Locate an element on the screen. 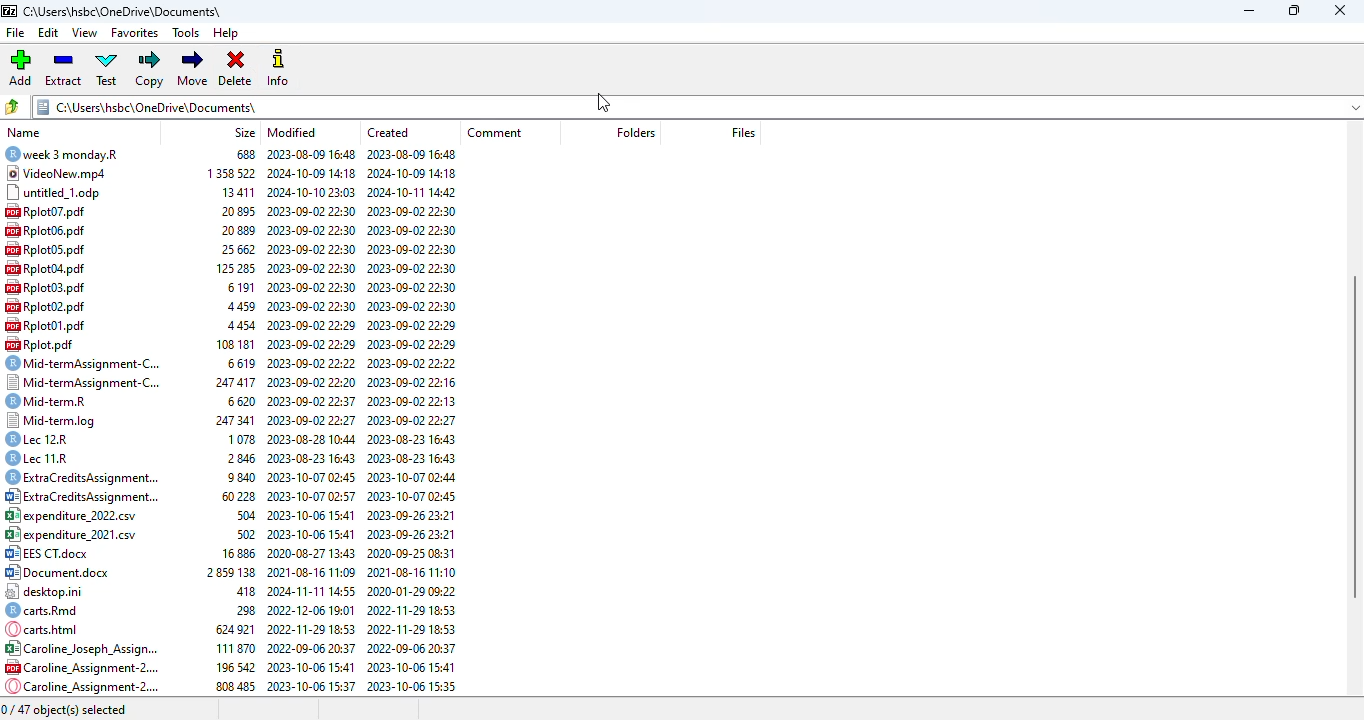 The height and width of the screenshot is (720, 1364). document.docx is located at coordinates (59, 574).